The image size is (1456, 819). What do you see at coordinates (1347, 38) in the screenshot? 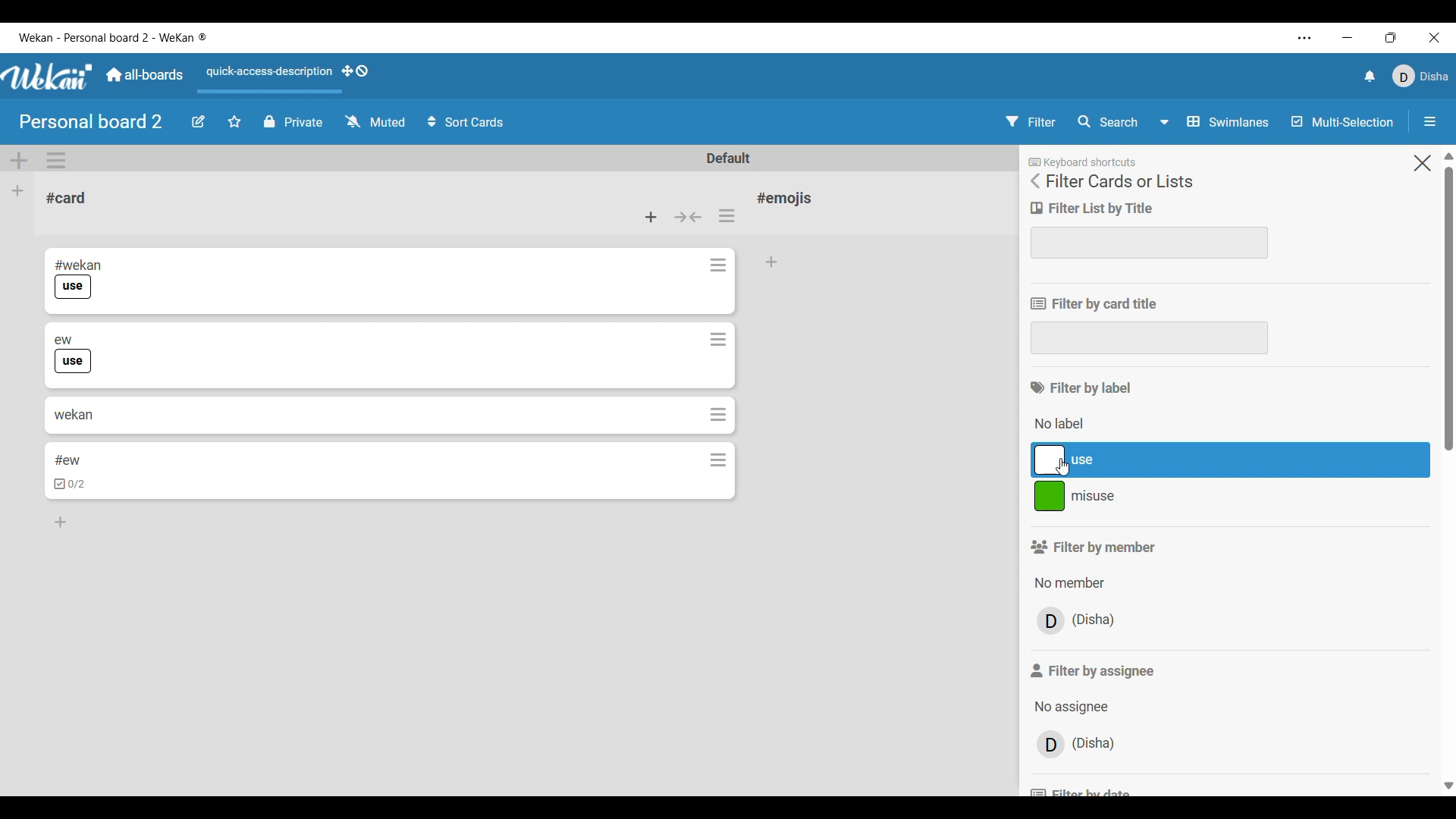
I see `Minimize` at bounding box center [1347, 38].